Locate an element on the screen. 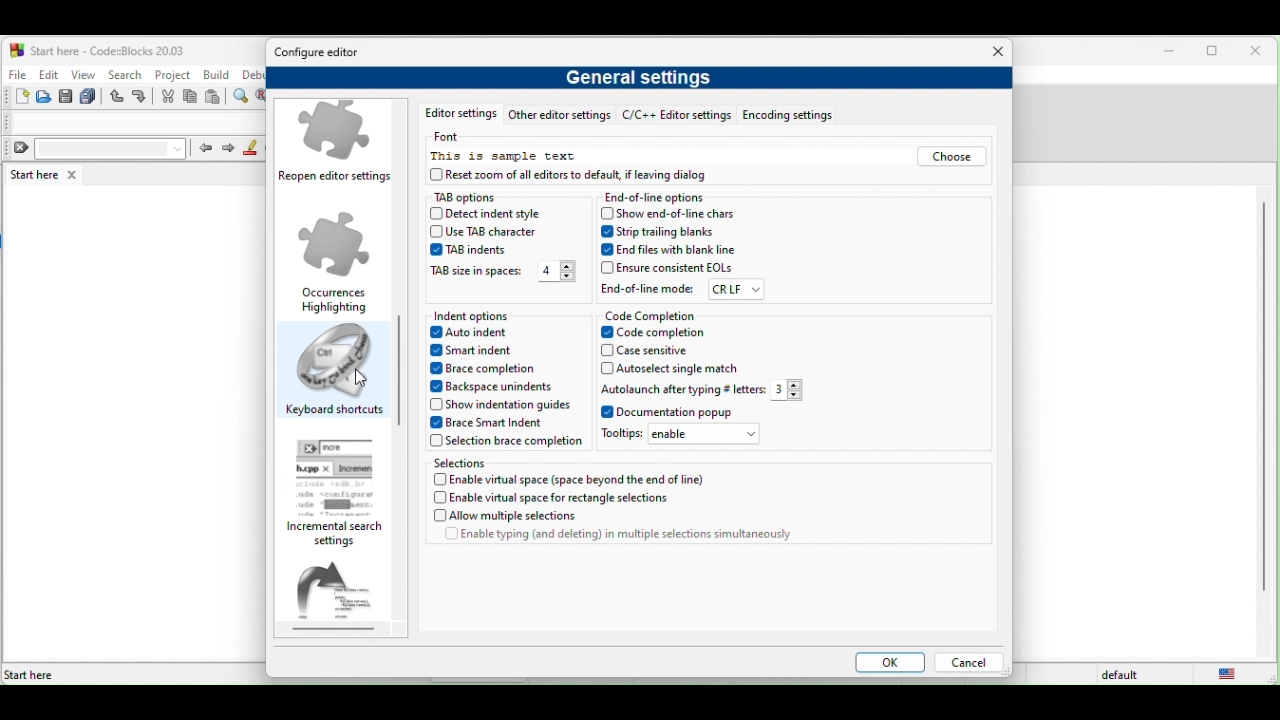 The width and height of the screenshot is (1280, 720). Start here is located at coordinates (30, 675).